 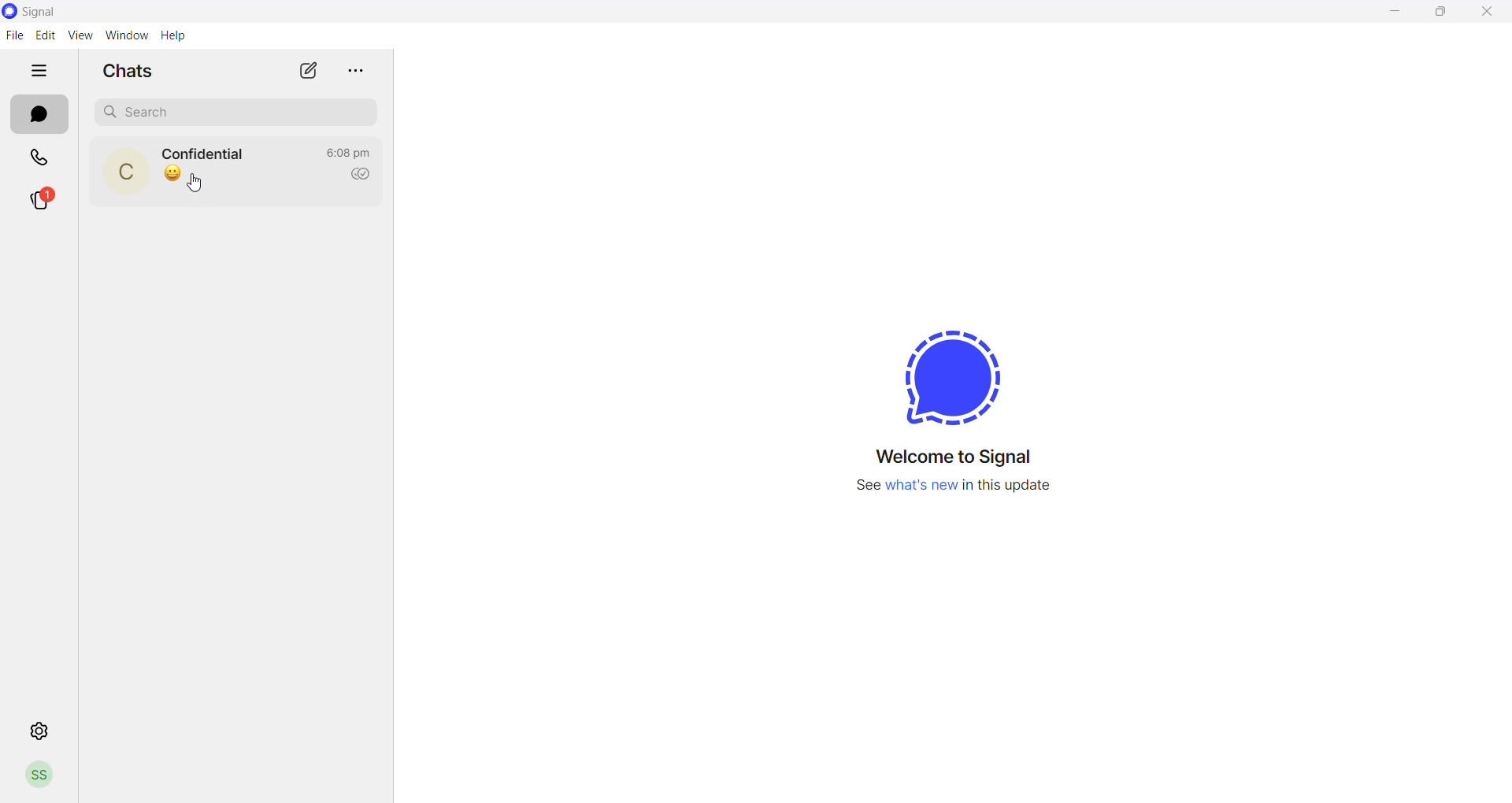 I want to click on maximize, so click(x=1436, y=16).